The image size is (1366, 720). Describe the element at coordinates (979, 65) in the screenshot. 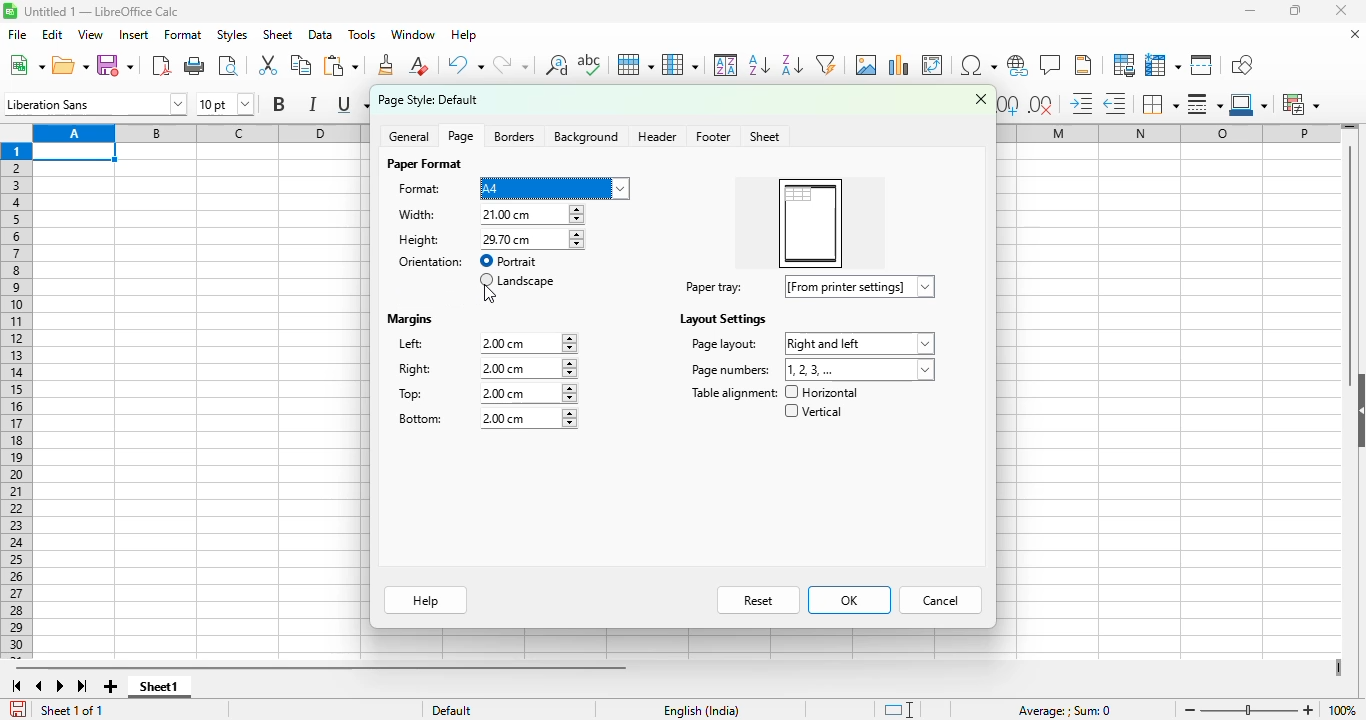

I see `insert special characters` at that location.